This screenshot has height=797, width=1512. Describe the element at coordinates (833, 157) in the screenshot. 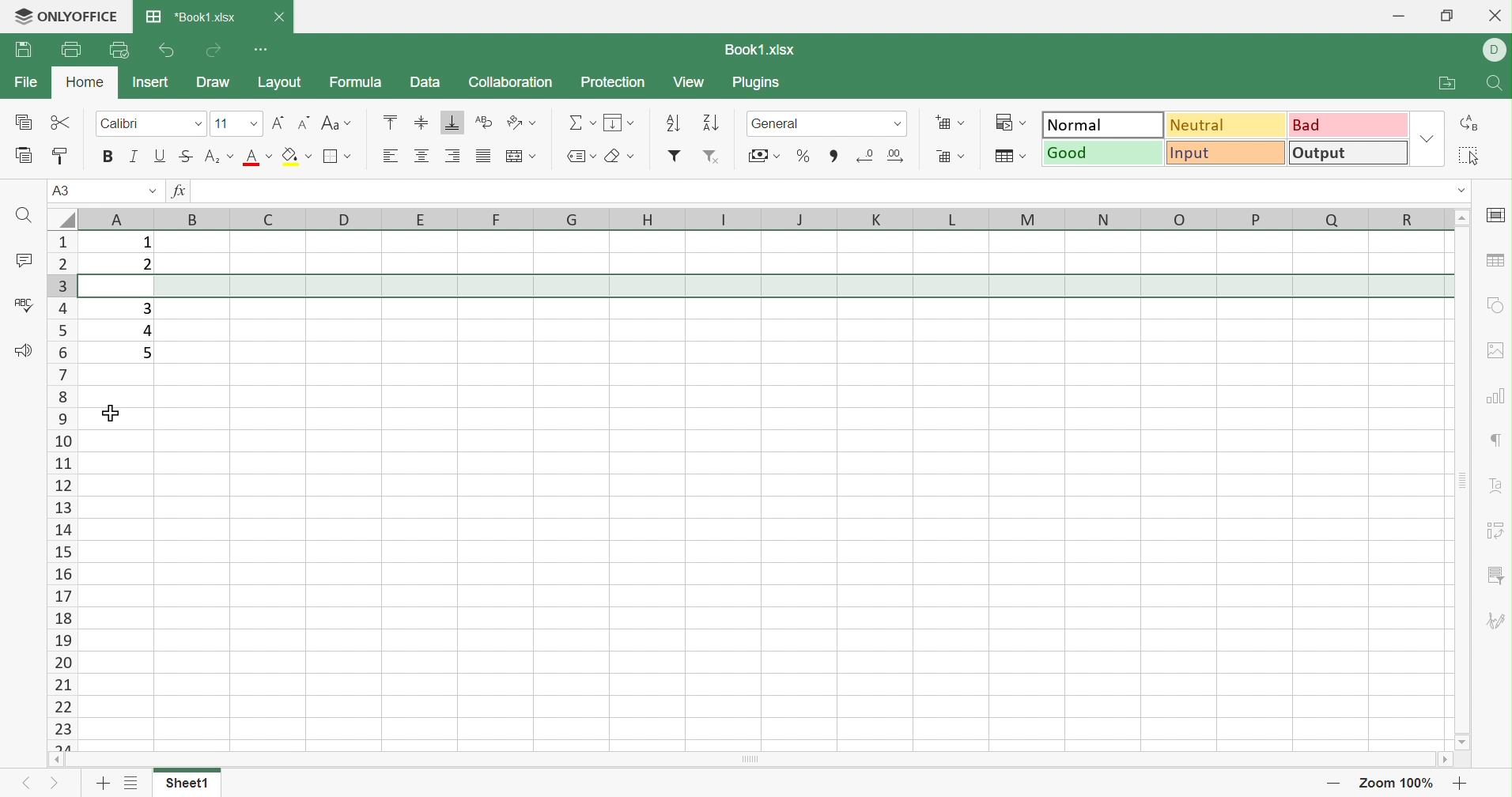

I see `Comma style` at that location.